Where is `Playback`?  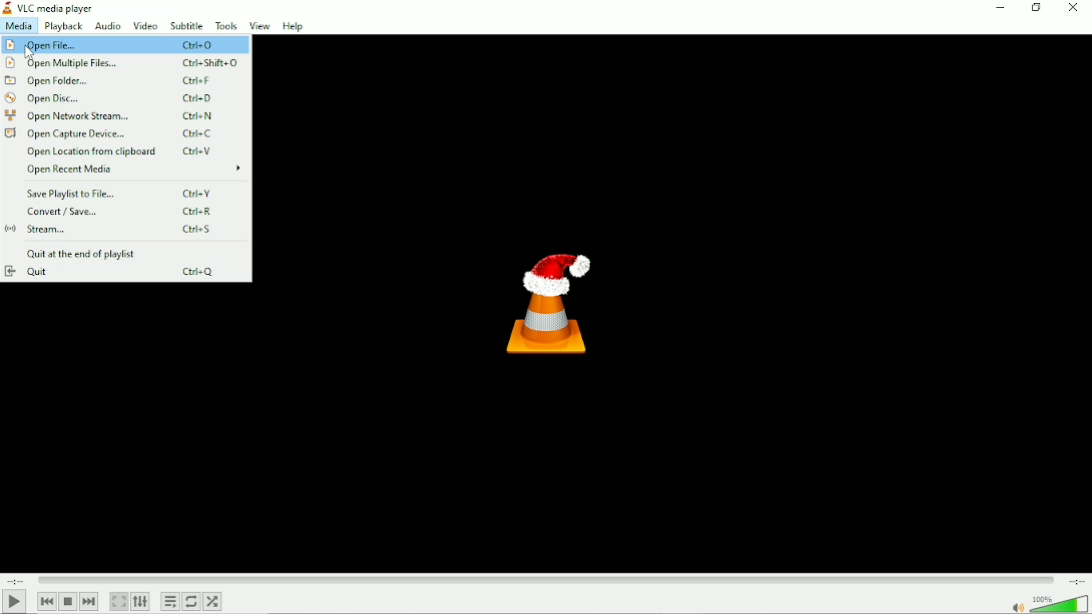
Playback is located at coordinates (63, 27).